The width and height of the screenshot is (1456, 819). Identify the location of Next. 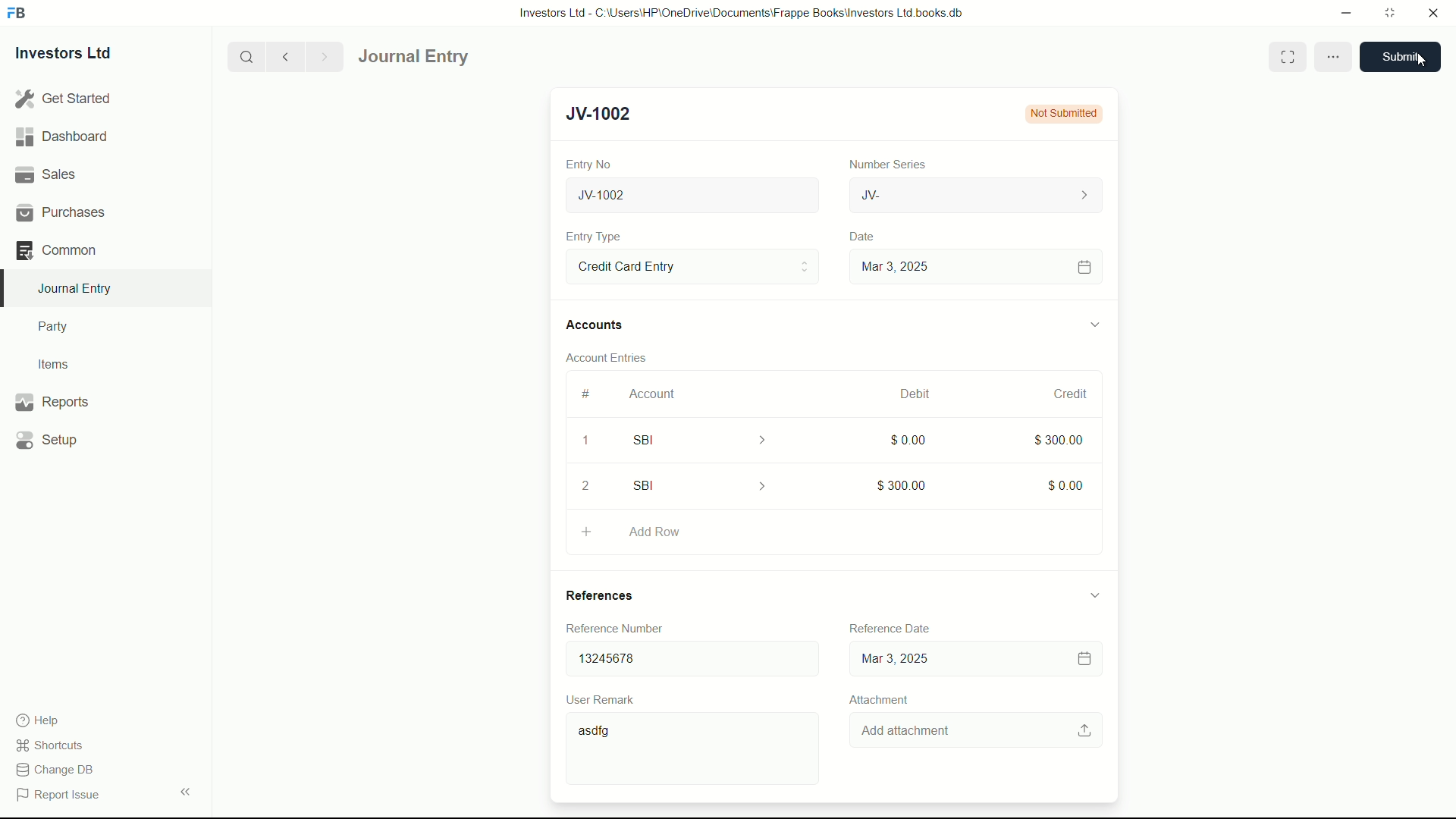
(322, 56).